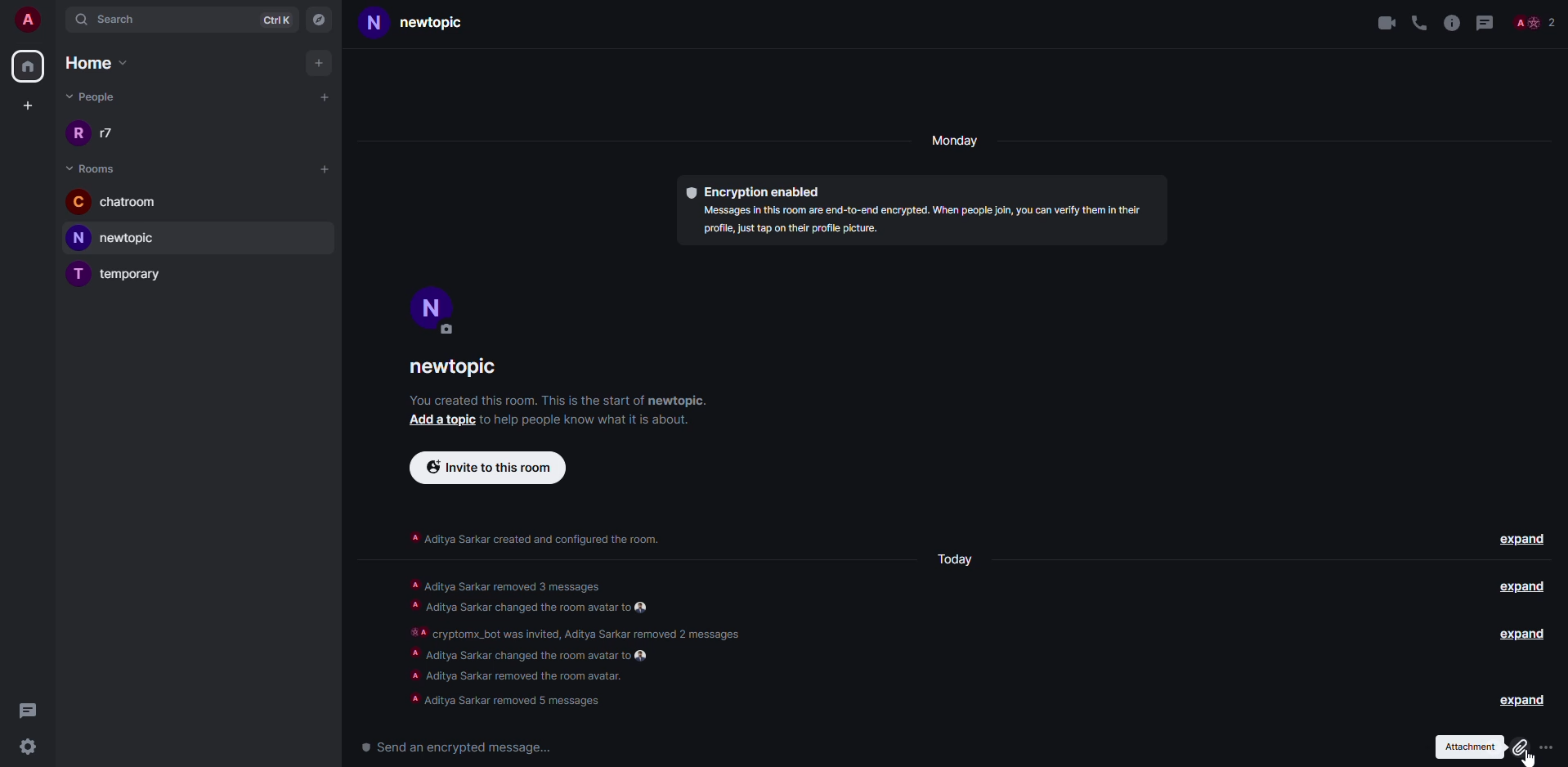 Image resolution: width=1568 pixels, height=767 pixels. What do you see at coordinates (1451, 22) in the screenshot?
I see `info` at bounding box center [1451, 22].